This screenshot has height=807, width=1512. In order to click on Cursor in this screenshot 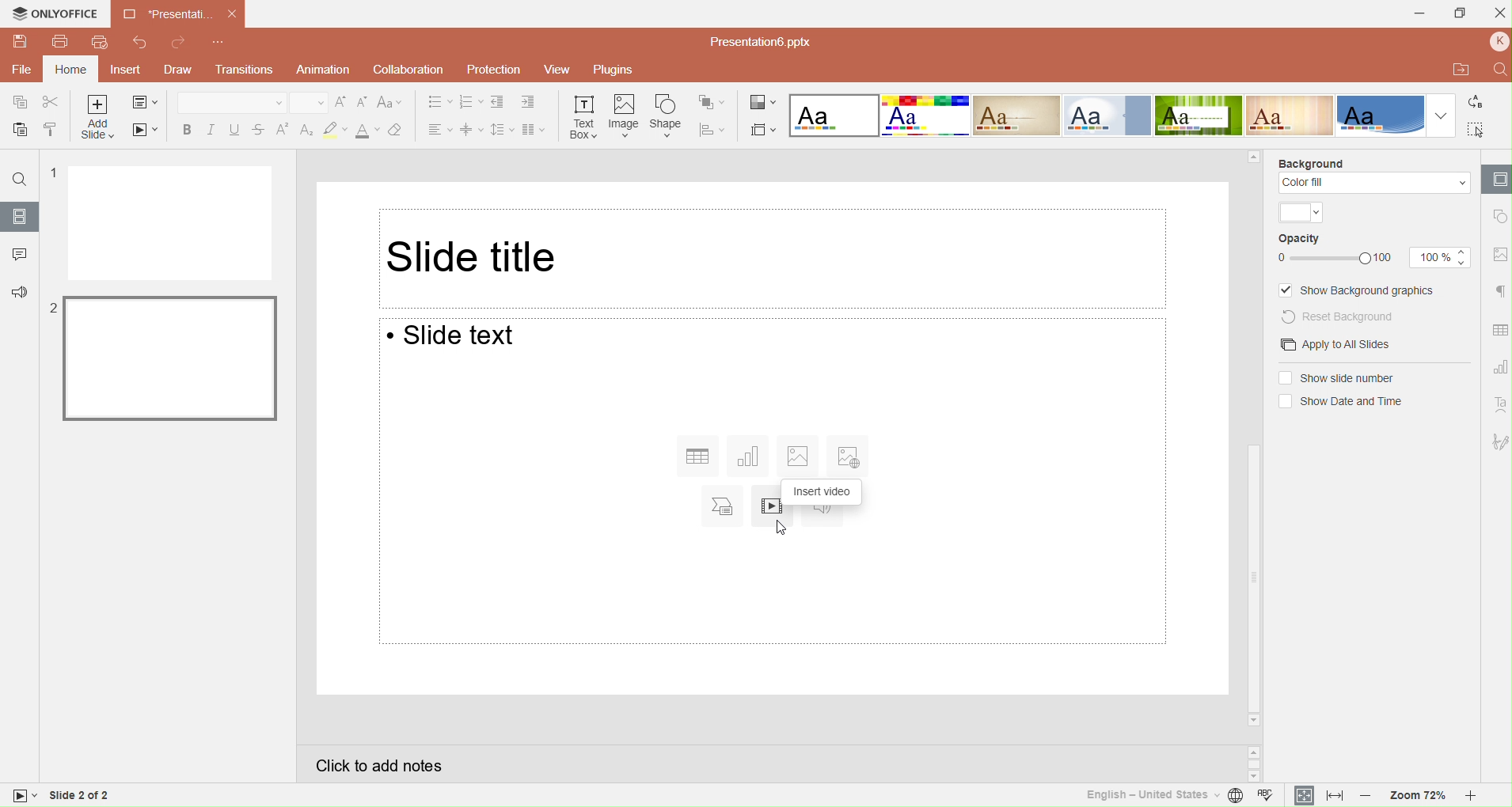, I will do `click(782, 528)`.